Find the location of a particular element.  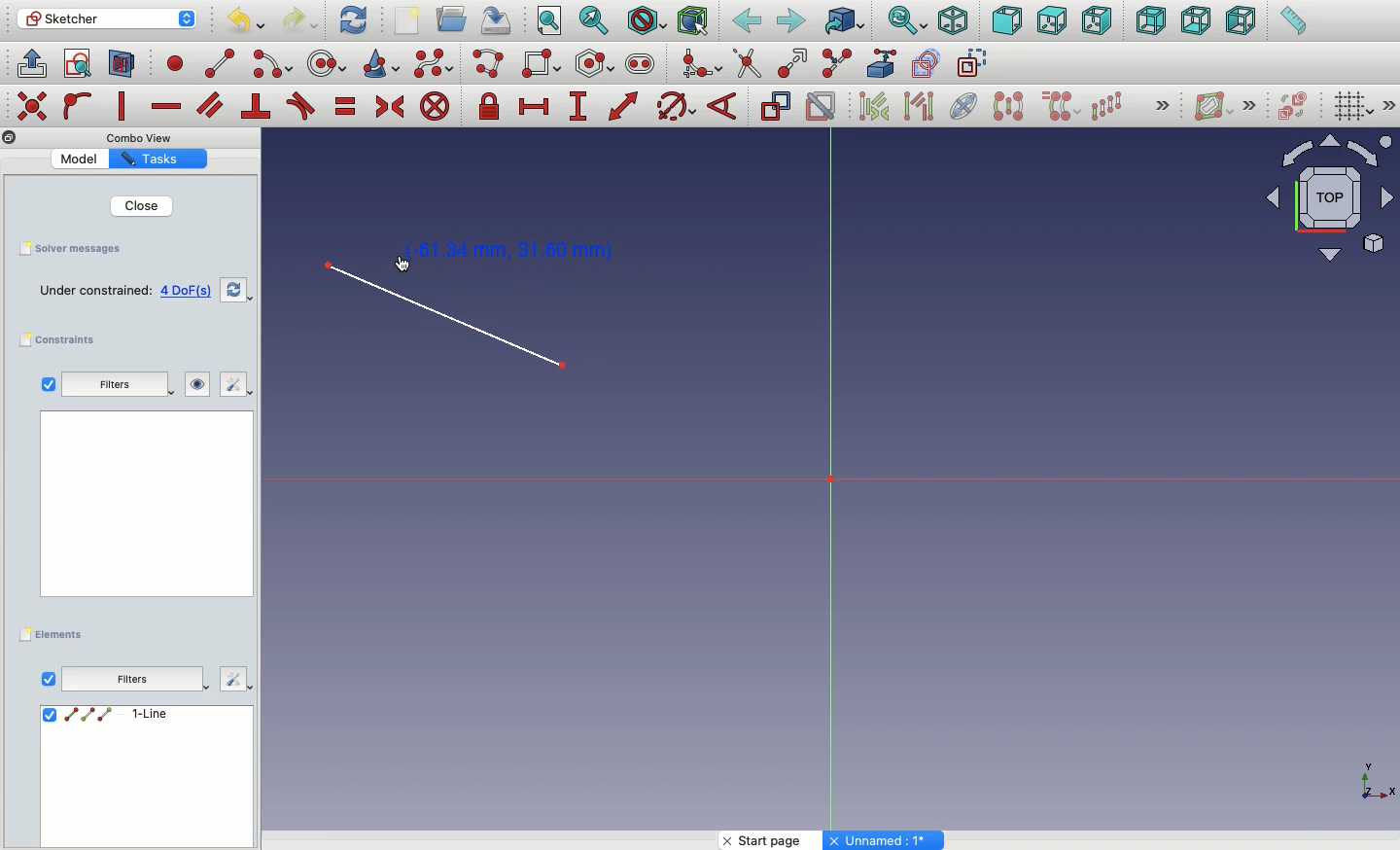

Constrain horizontal distance is located at coordinates (538, 108).